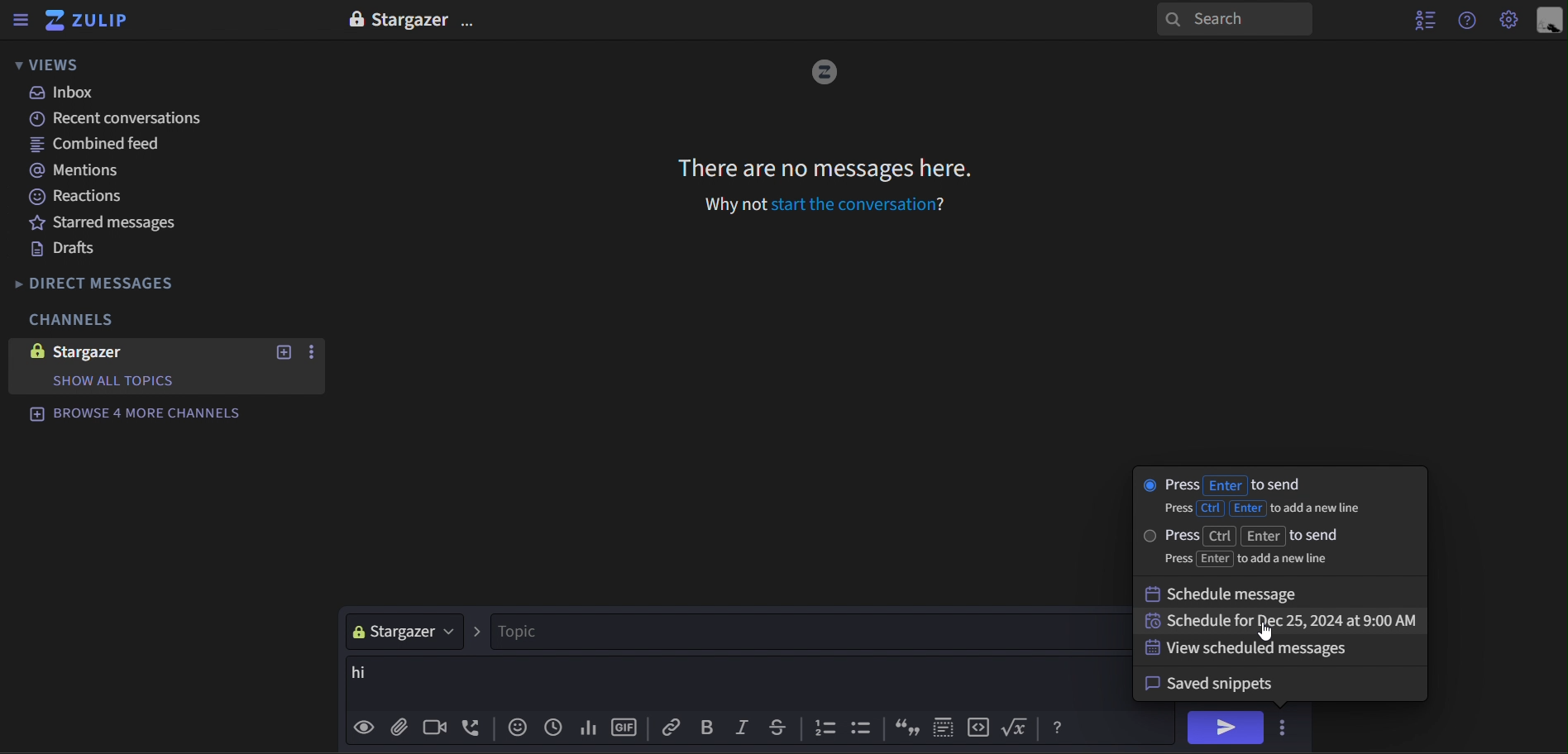 The height and width of the screenshot is (754, 1568). Describe the element at coordinates (366, 727) in the screenshot. I see `preview` at that location.